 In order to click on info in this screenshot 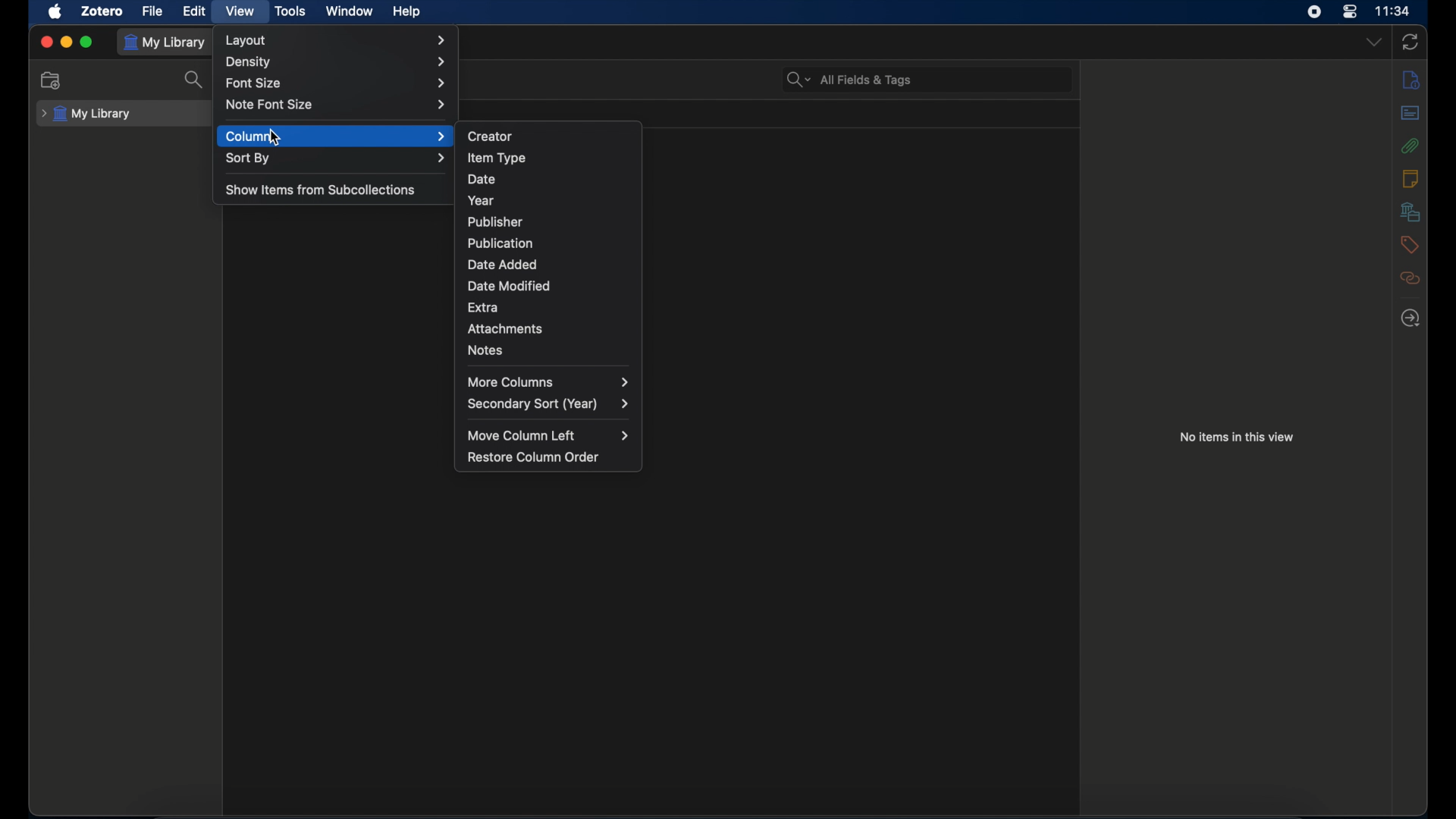, I will do `click(1411, 80)`.